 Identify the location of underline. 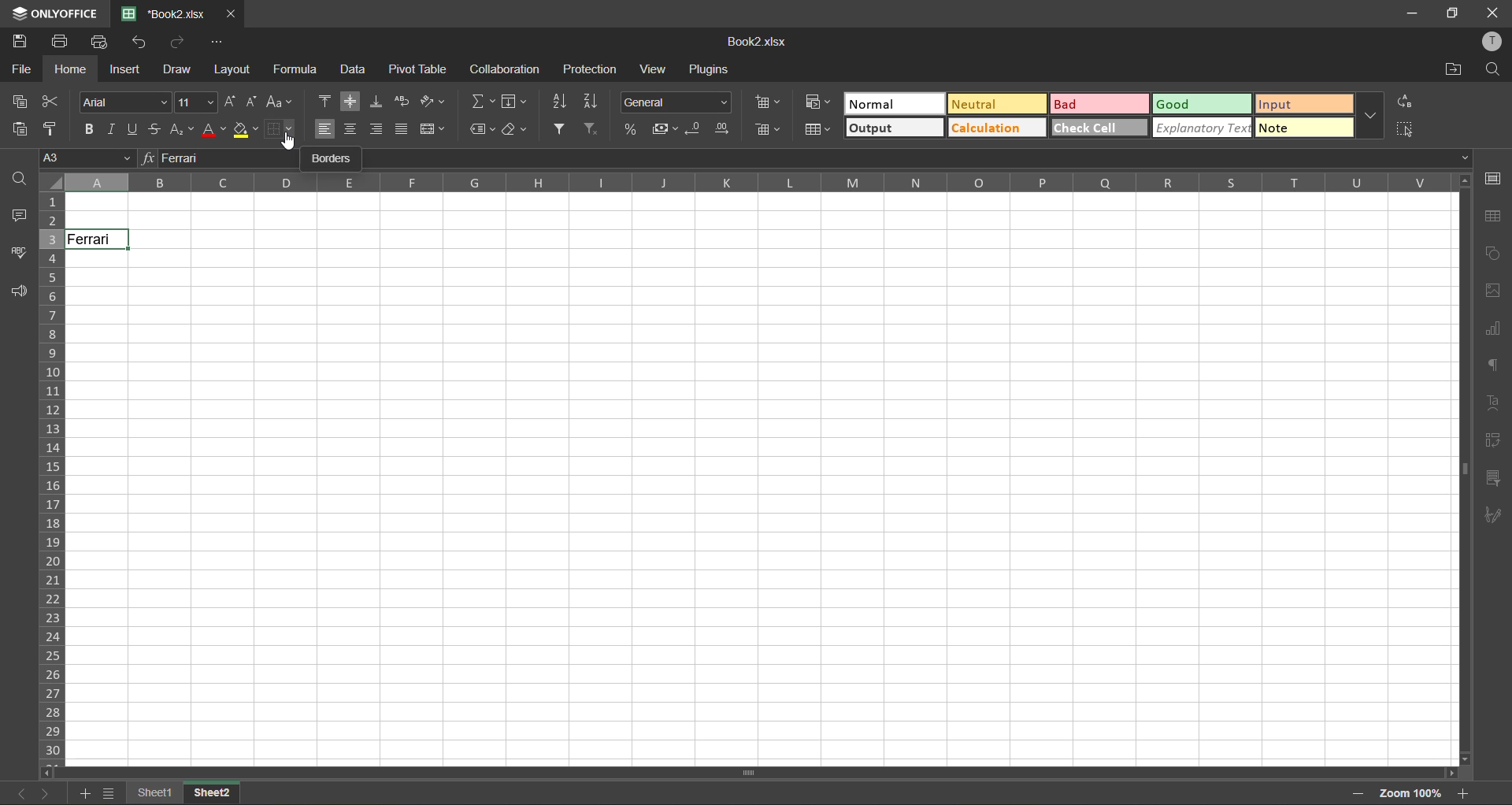
(134, 130).